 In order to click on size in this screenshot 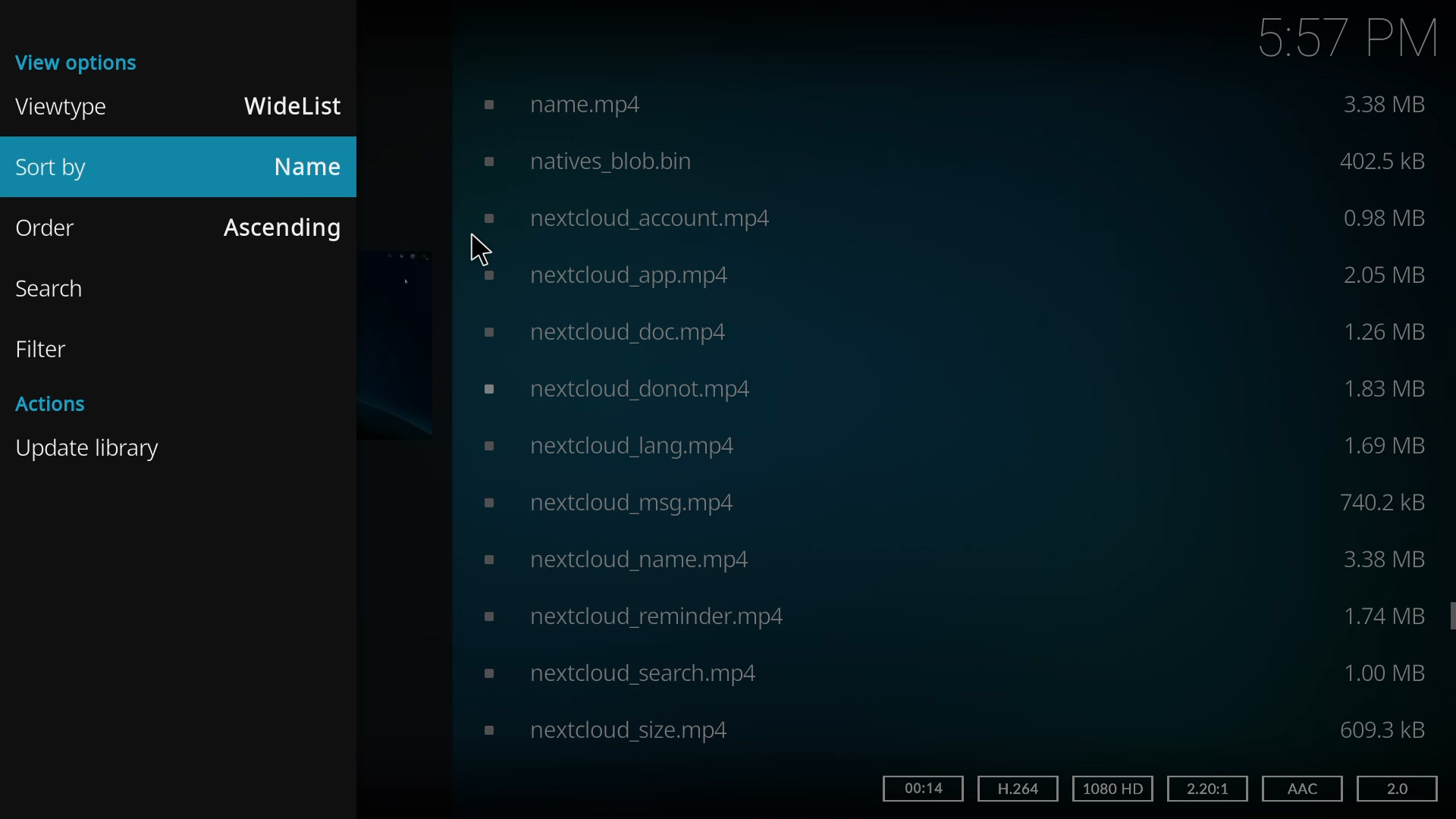, I will do `click(1384, 730)`.